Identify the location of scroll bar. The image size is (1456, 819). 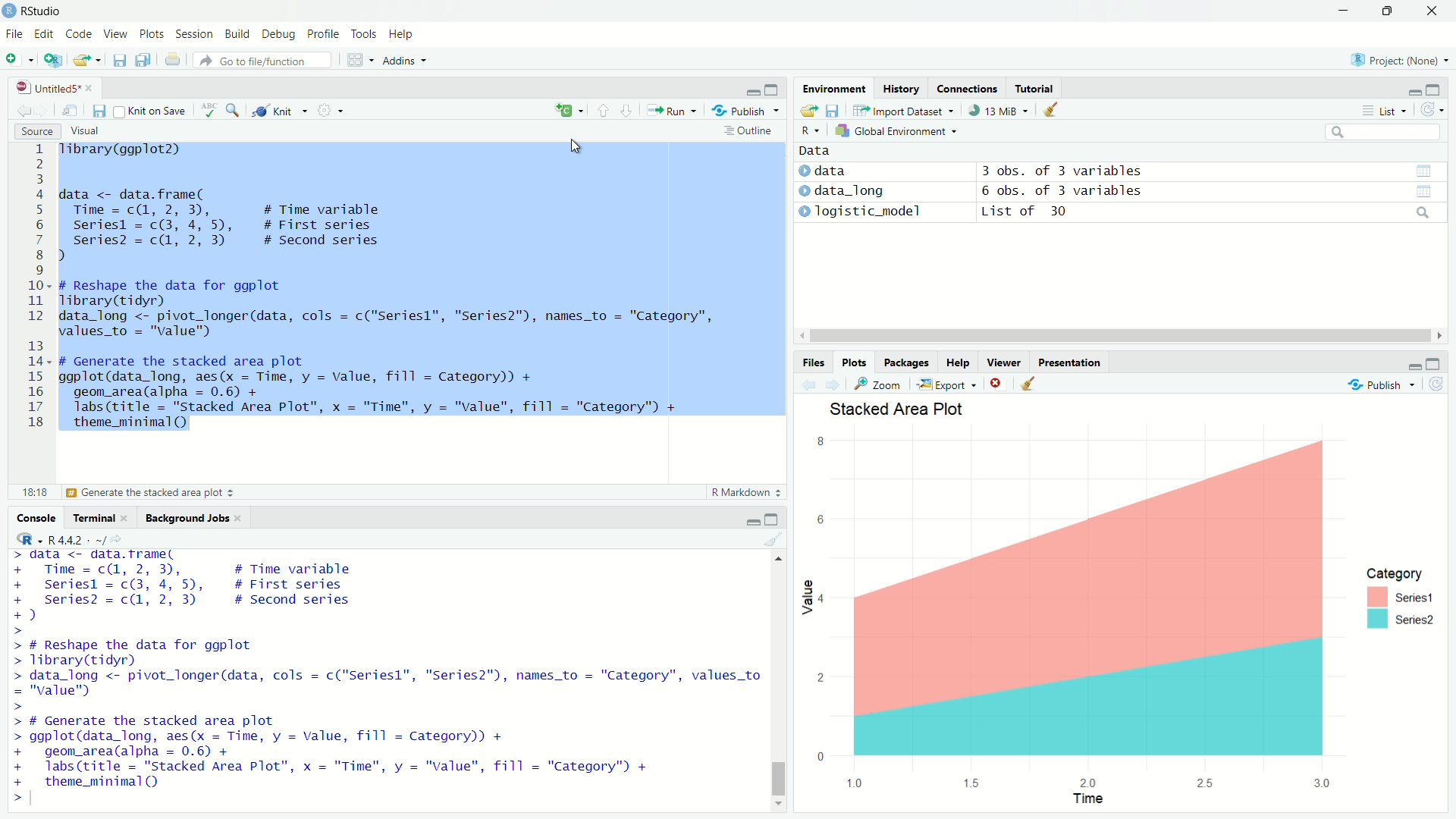
(776, 679).